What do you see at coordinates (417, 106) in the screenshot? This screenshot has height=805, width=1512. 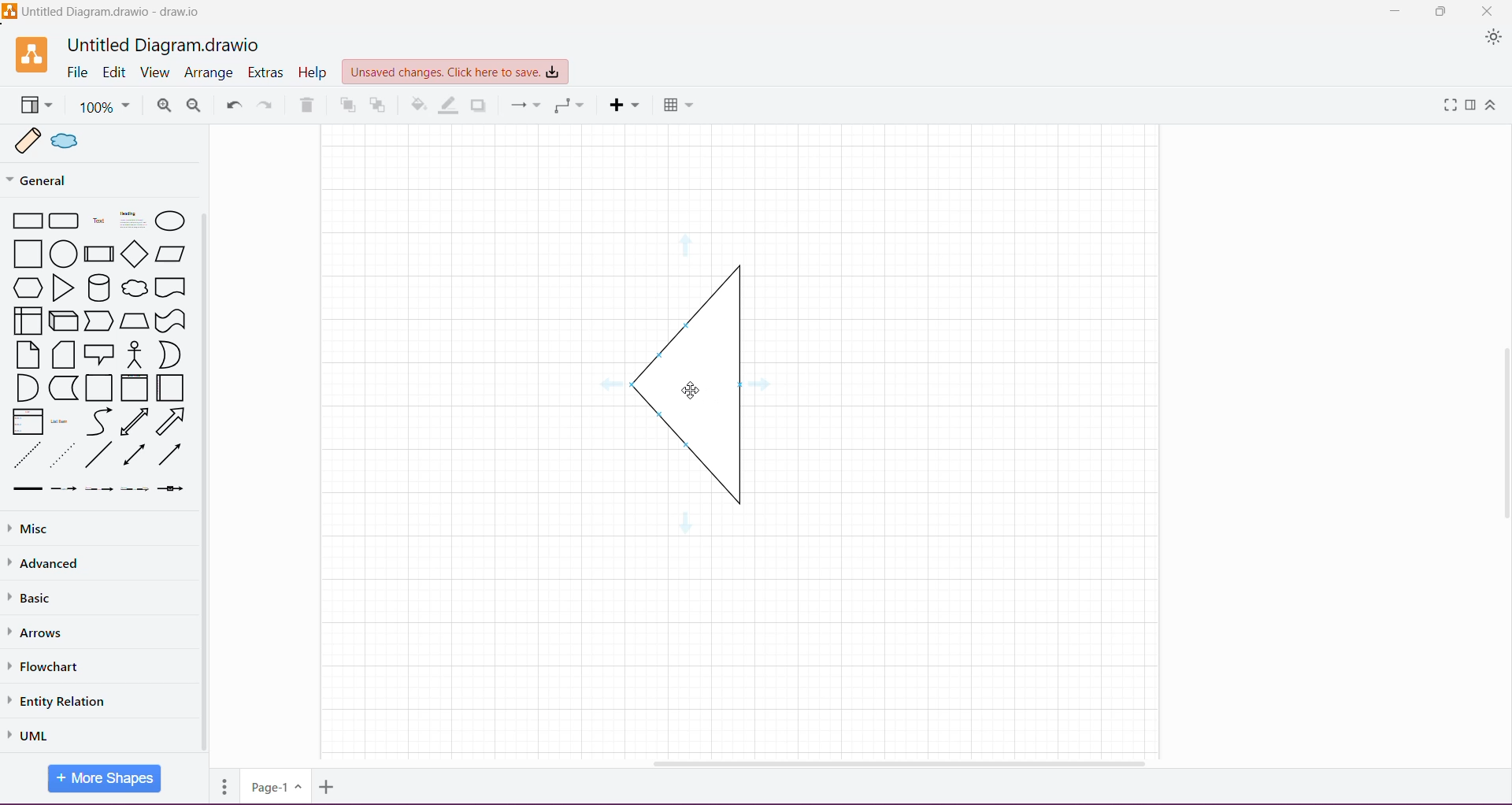 I see `Fill Color` at bounding box center [417, 106].